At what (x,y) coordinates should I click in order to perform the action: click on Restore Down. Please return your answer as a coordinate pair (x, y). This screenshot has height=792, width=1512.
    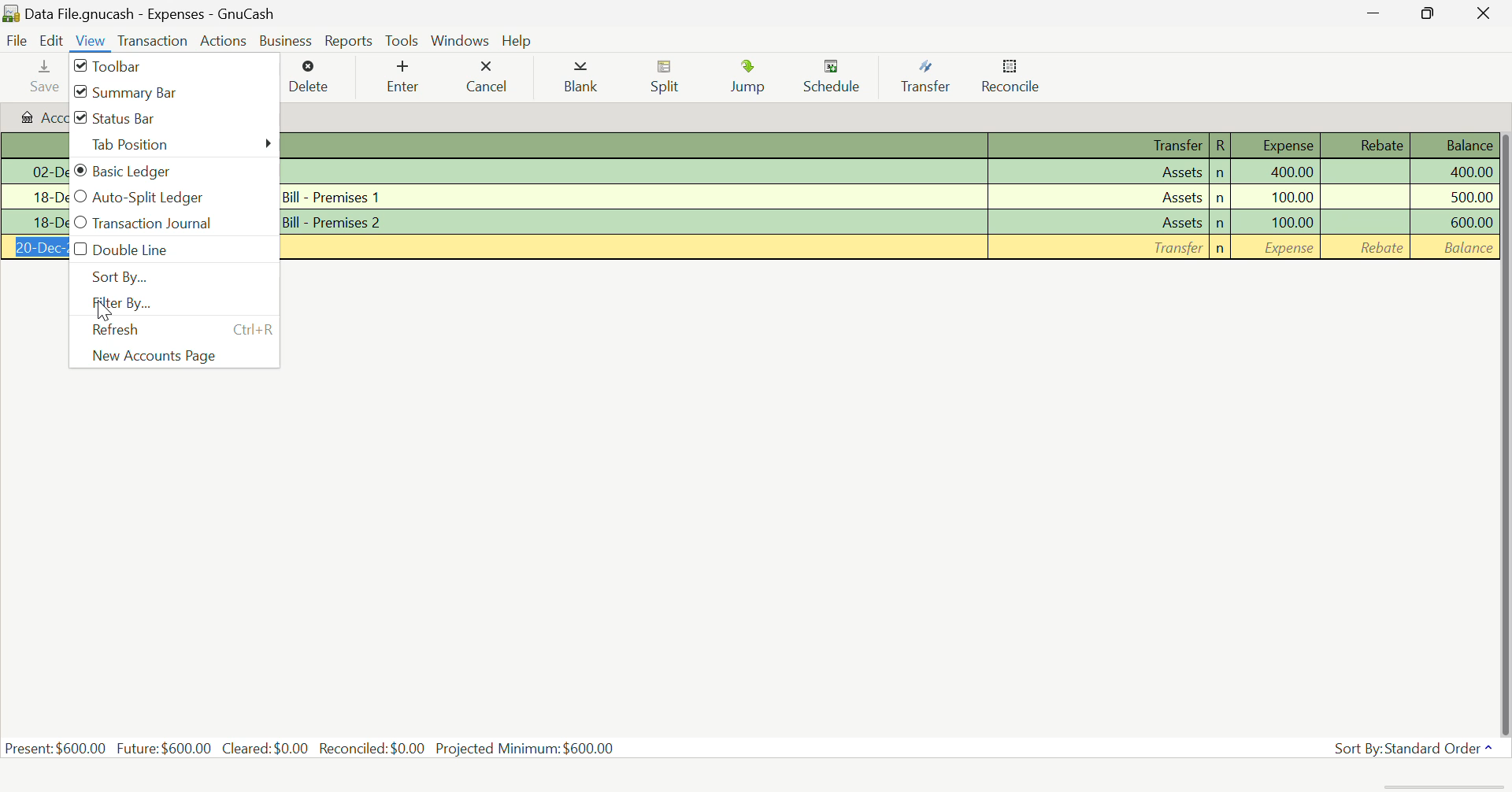
    Looking at the image, I should click on (1380, 13).